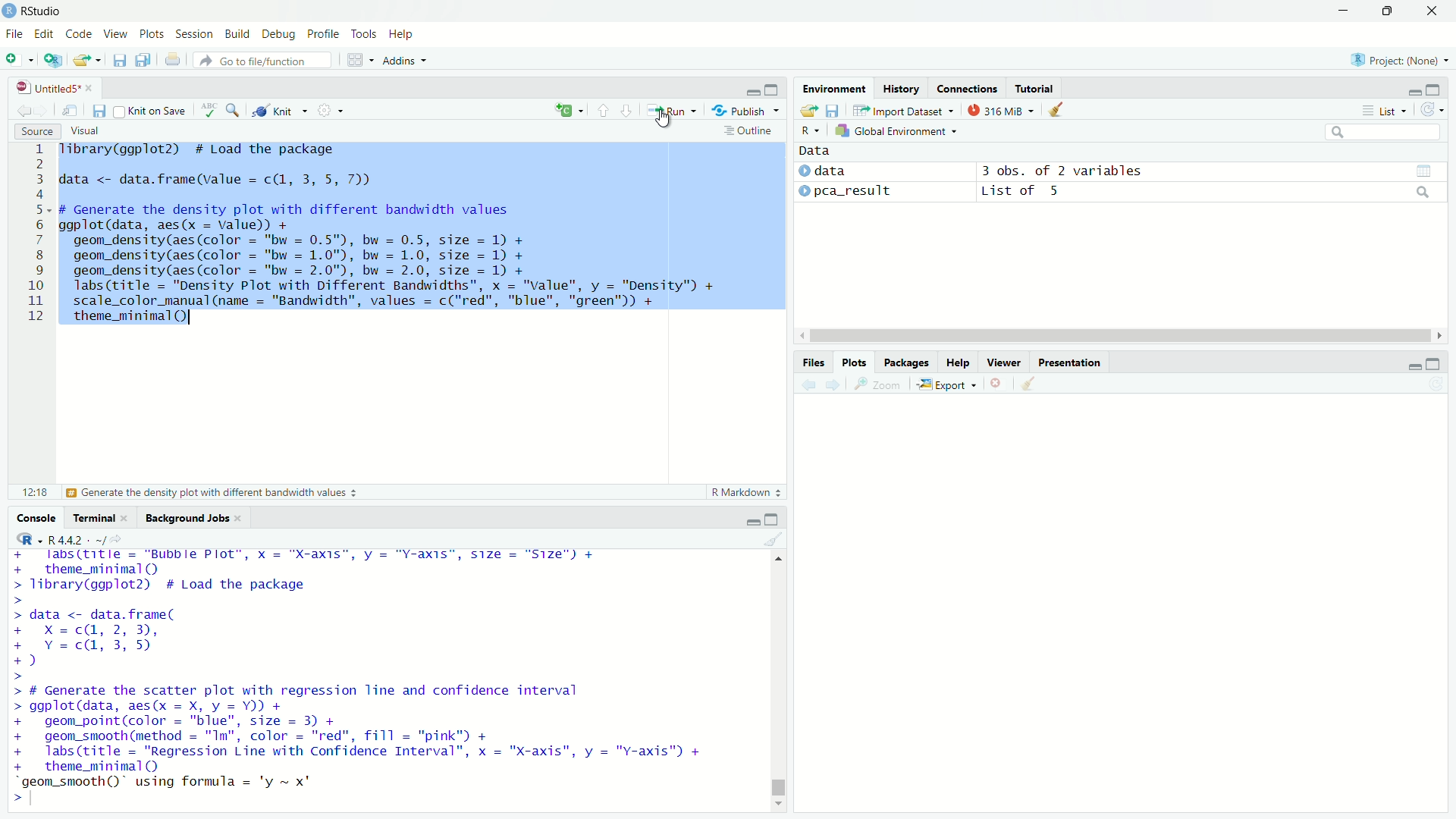  What do you see at coordinates (391, 235) in the screenshot?
I see `library(ggplot2) # Load the package

data <- data.frame(value = c(1, 3, 5, 7))

# Generate the density plot with different bandwidth values

ggplot(data, aes(x = value)) + bi
geom_density(aes(color = "bw = 0.5"), bw = 0.5, size = 1) +
geom_density(aes(color = "bw = 1.0"), bw = 1.0, size = 1) +
geom_density(aes(color = "bw = 2.0"), bw = 2.0, size = 1) +
labs(title = "Density Plot with Different Bandwidths", x = "value", y = "Density") +
scale_color_manual(name = "Bandwidth", values = c("red", "blue", "green")) +
theme_minimalQ),` at bounding box center [391, 235].